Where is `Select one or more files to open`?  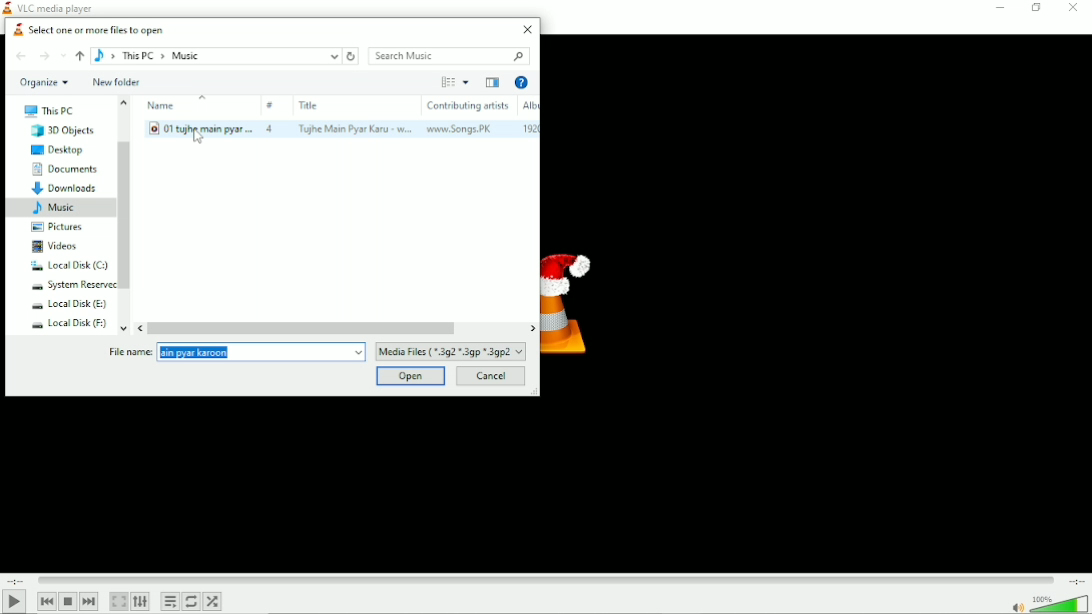 Select one or more files to open is located at coordinates (88, 29).